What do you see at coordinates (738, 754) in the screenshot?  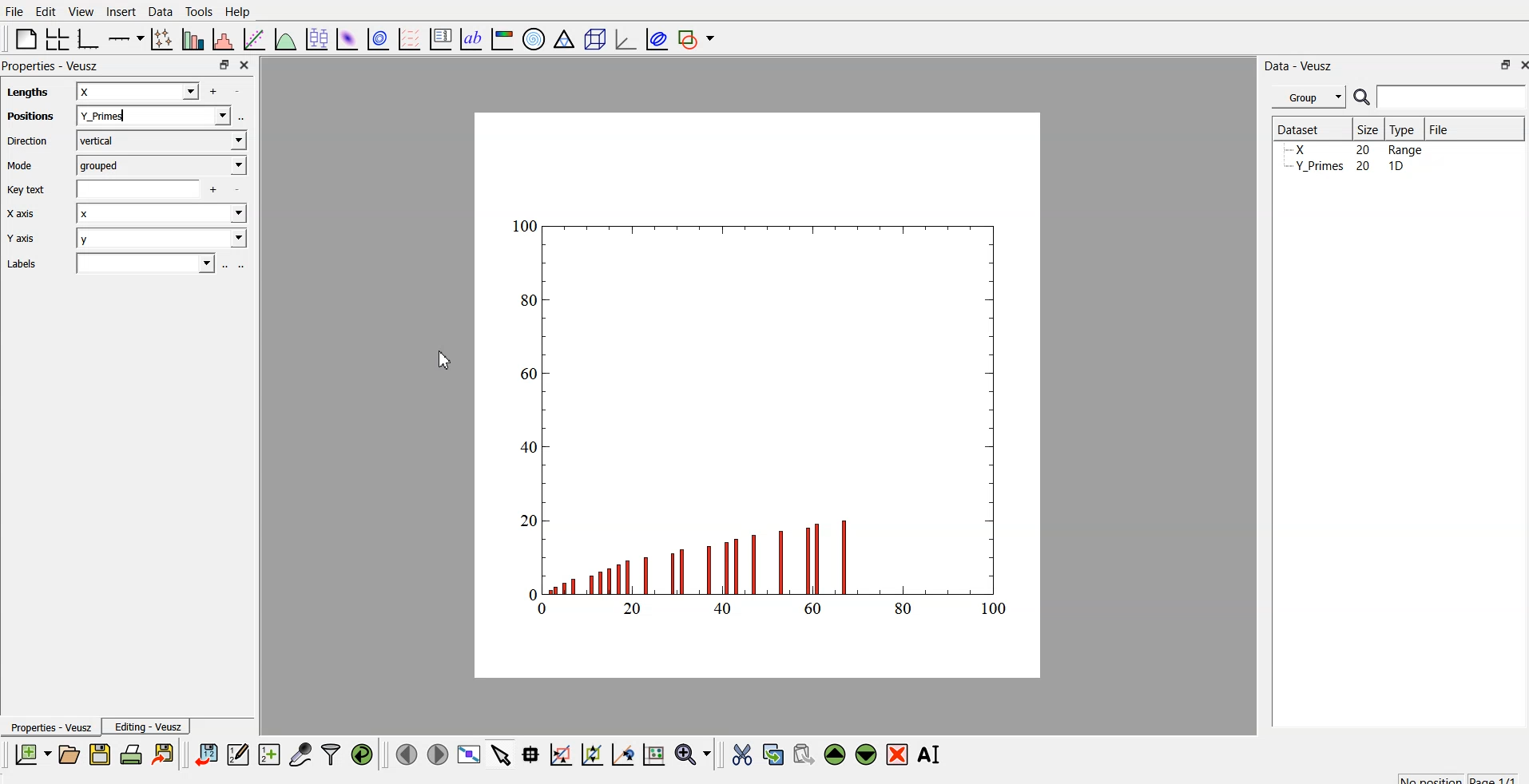 I see `cut the widget` at bounding box center [738, 754].